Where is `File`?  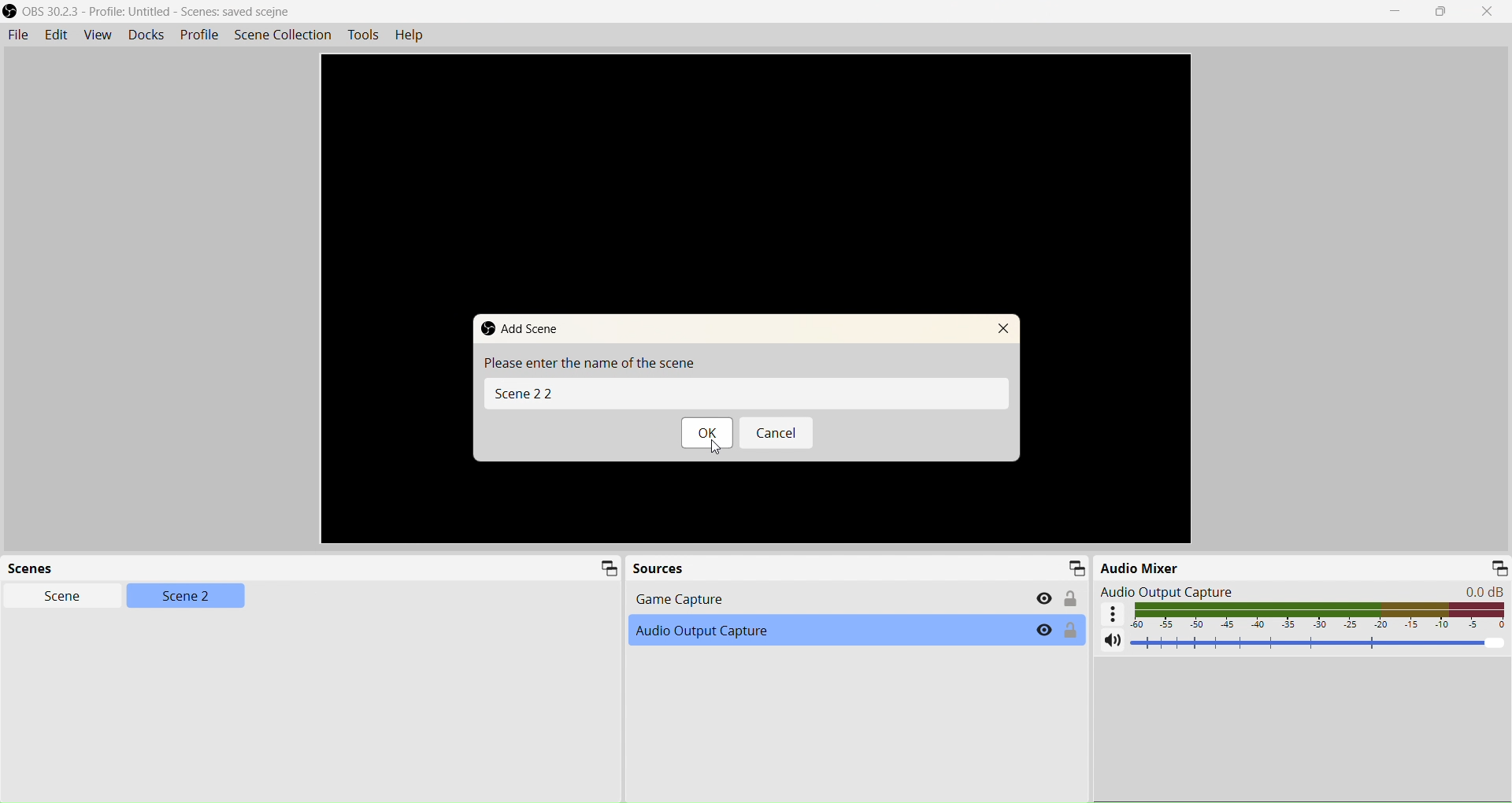 File is located at coordinates (17, 35).